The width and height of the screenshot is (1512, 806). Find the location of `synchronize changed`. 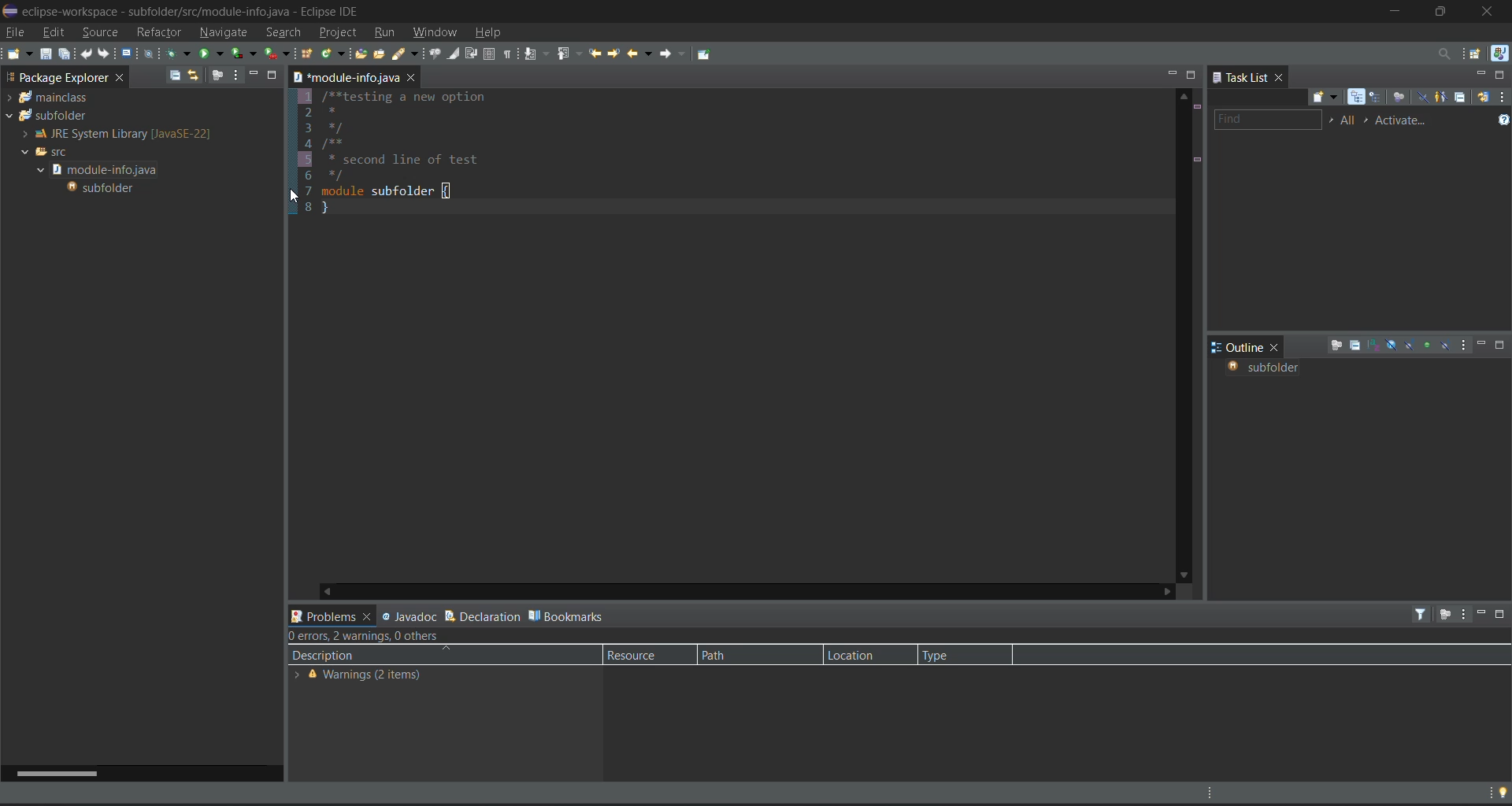

synchronize changed is located at coordinates (1482, 96).